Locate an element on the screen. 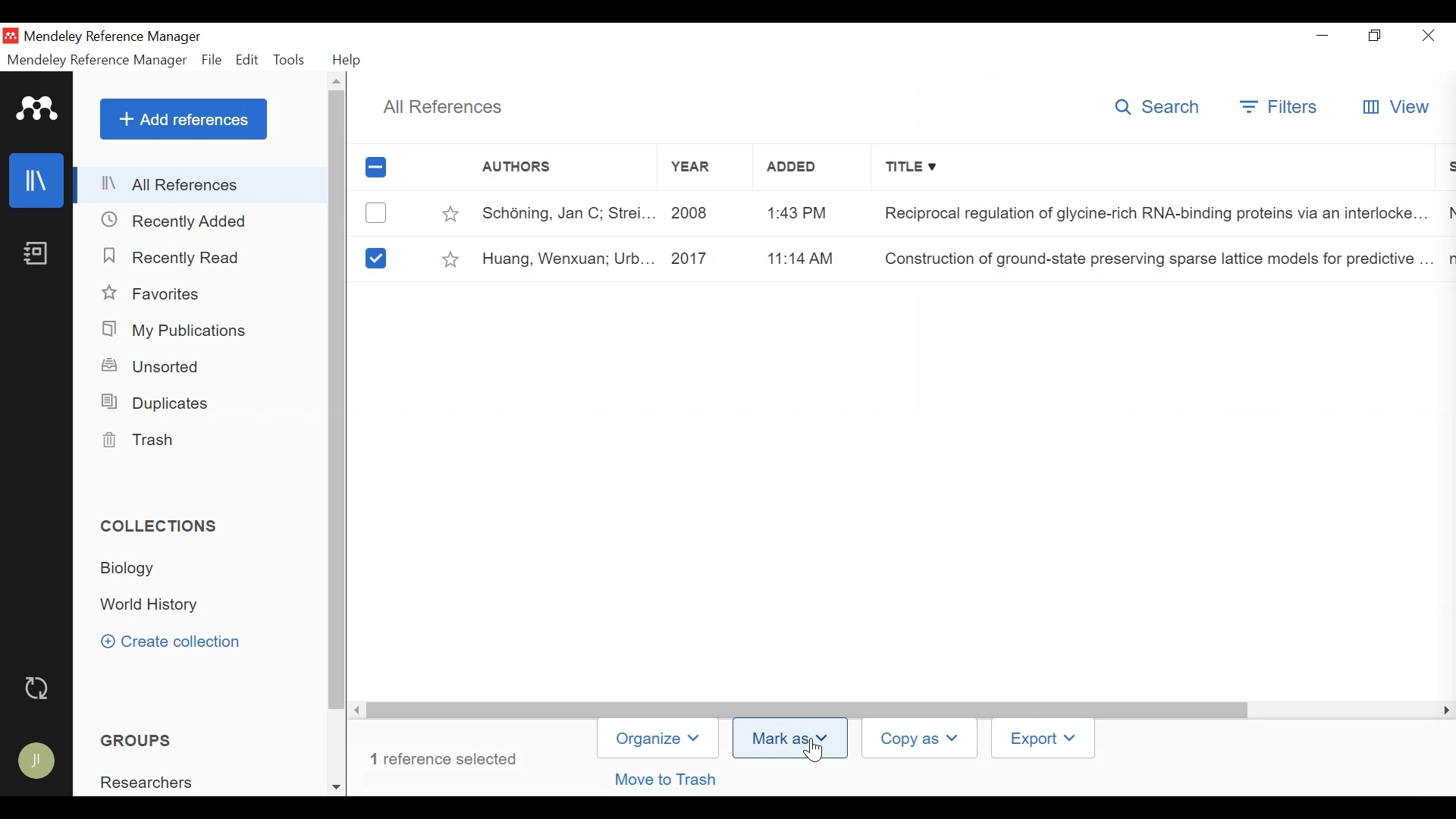 The width and height of the screenshot is (1456, 819). Organize is located at coordinates (658, 738).